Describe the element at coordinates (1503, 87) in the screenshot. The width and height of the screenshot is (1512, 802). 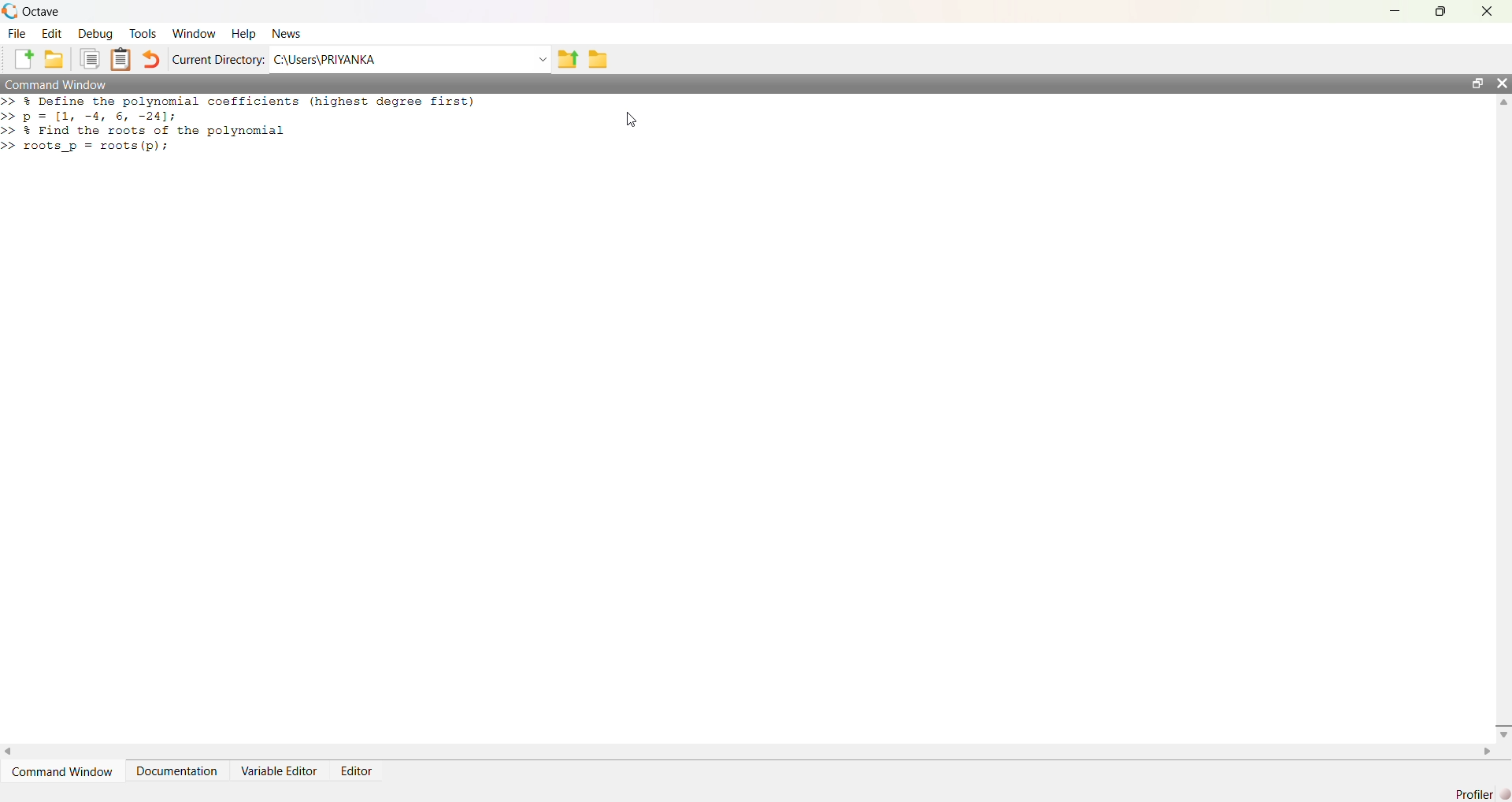
I see `Close` at that location.